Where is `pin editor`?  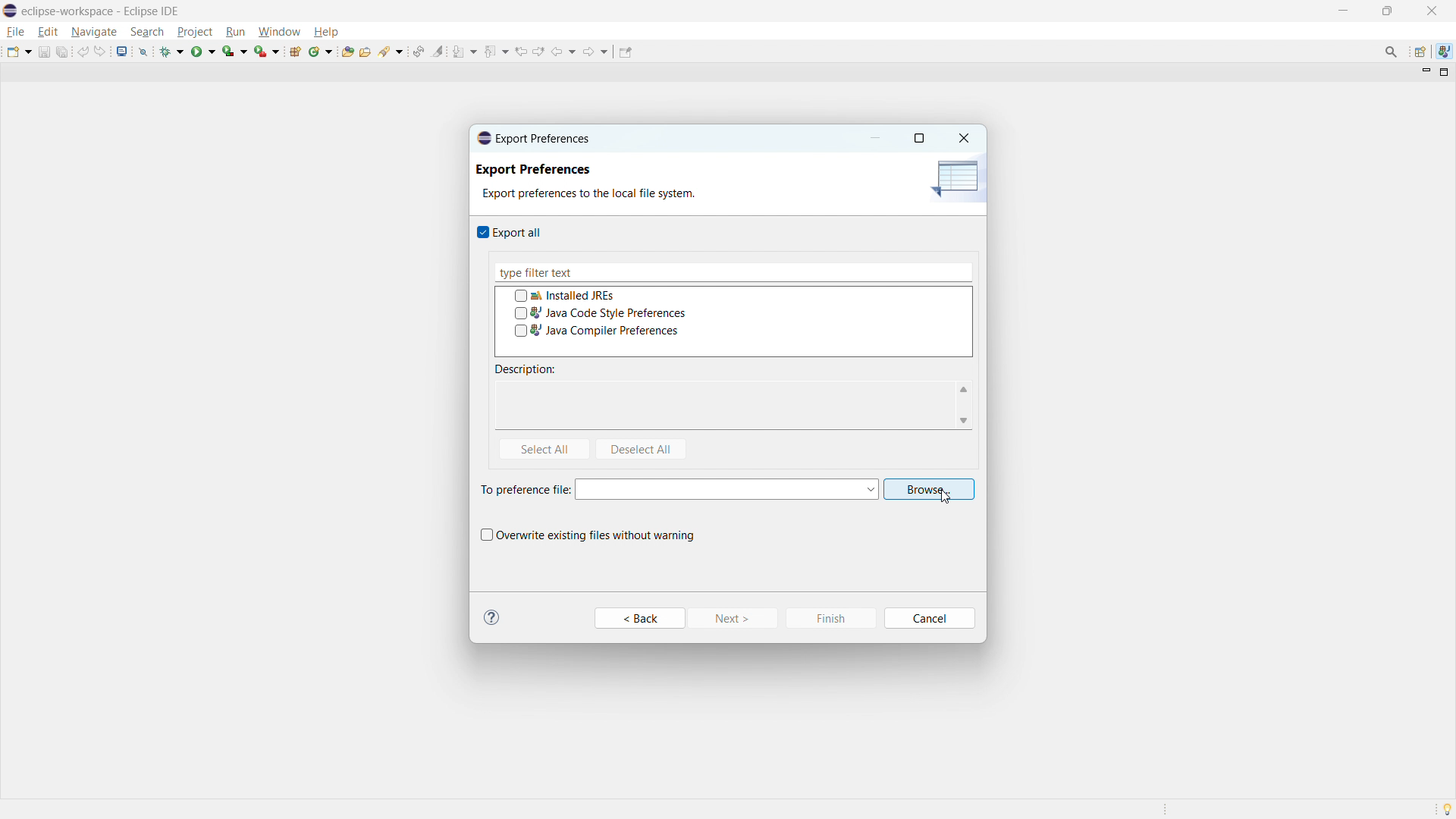
pin editor is located at coordinates (624, 52).